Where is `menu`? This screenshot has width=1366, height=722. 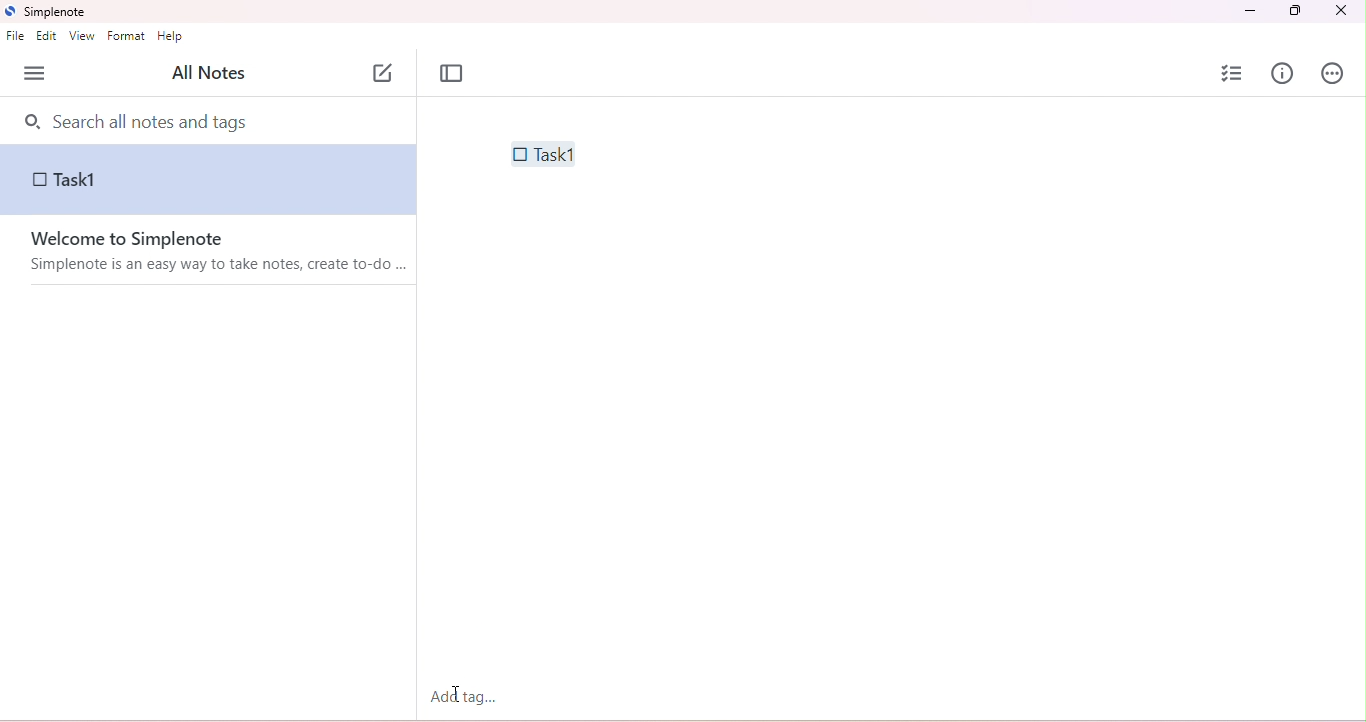
menu is located at coordinates (35, 74).